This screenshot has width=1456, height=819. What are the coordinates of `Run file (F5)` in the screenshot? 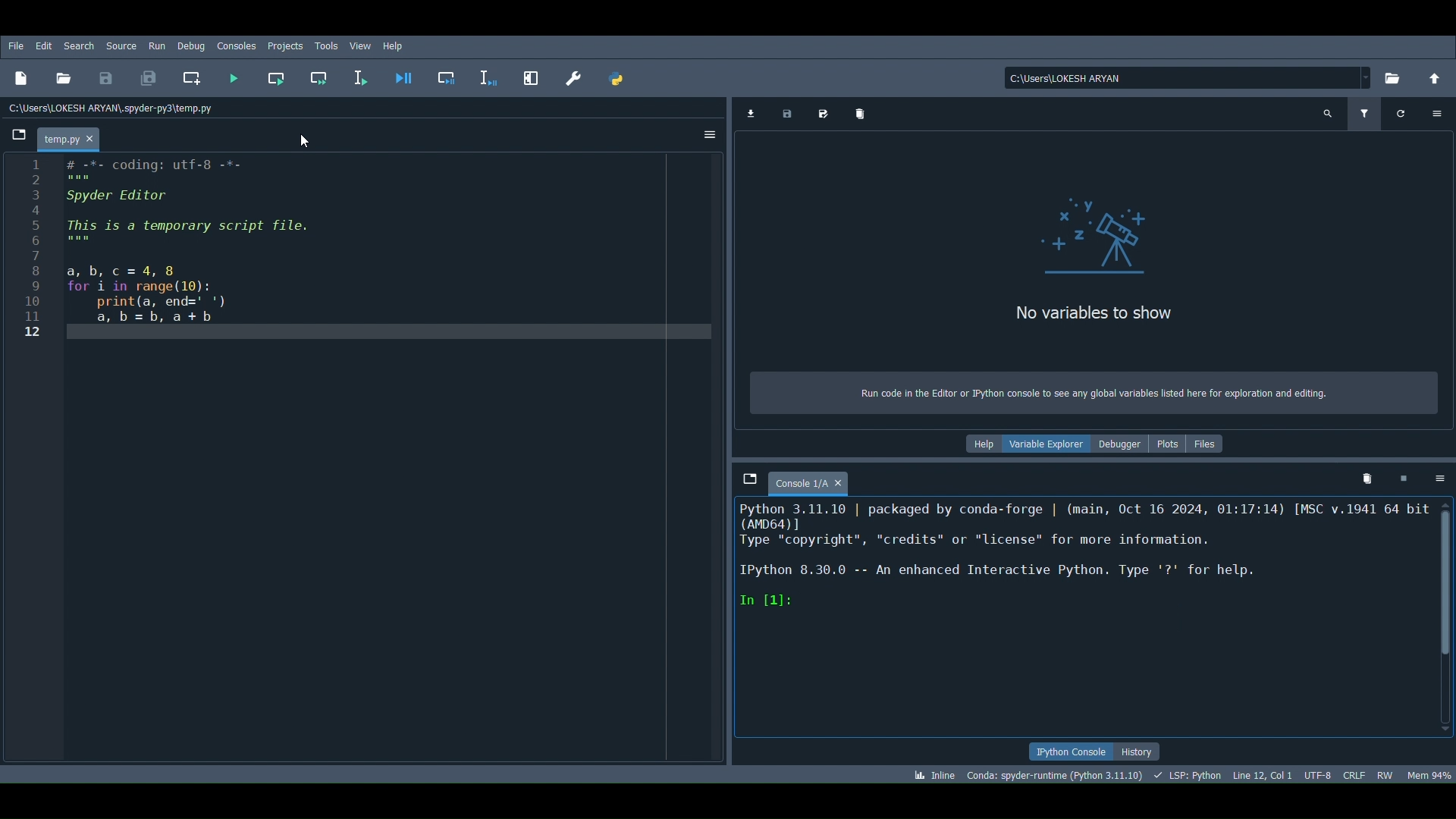 It's located at (231, 80).